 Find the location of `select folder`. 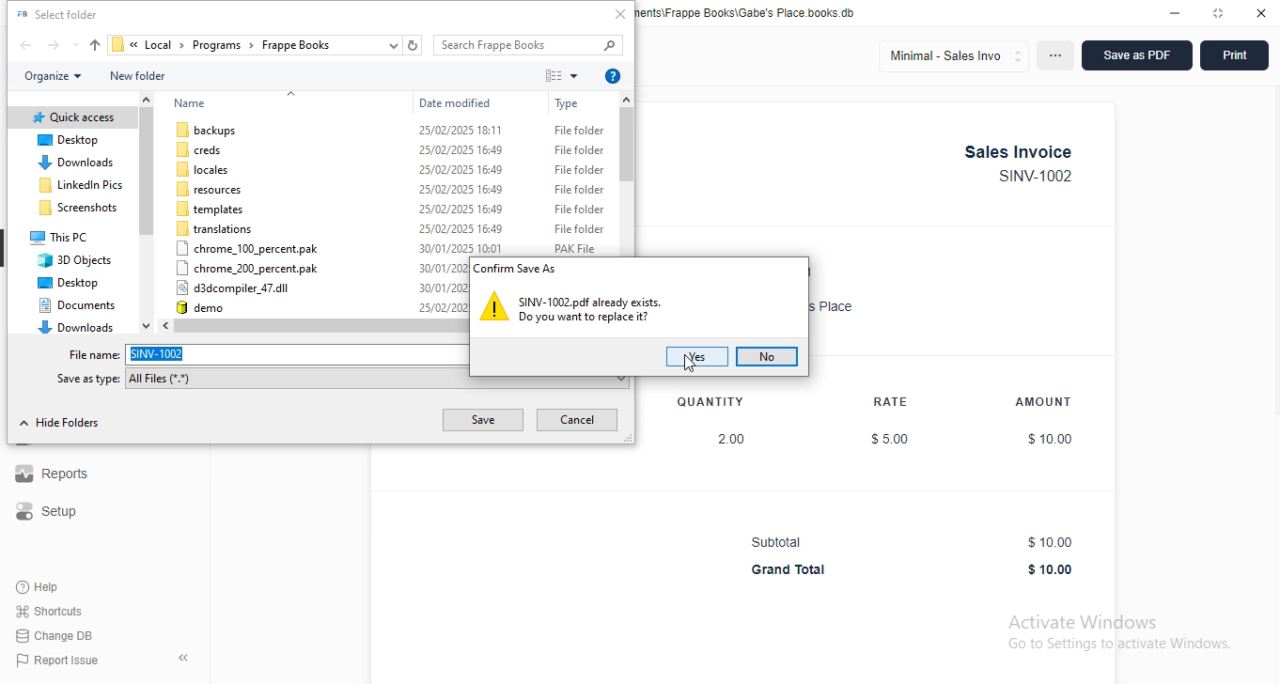

select folder is located at coordinates (57, 14).